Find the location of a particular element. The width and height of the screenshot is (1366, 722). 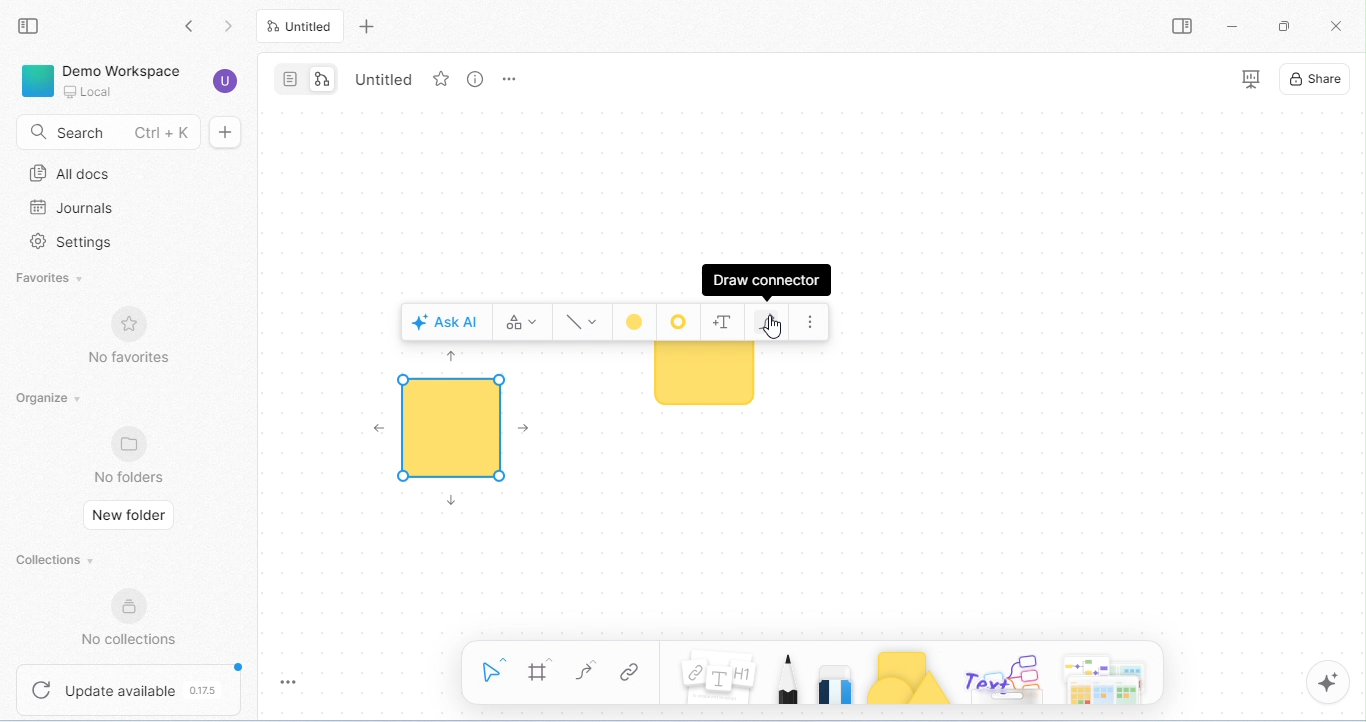

update available is located at coordinates (131, 688).